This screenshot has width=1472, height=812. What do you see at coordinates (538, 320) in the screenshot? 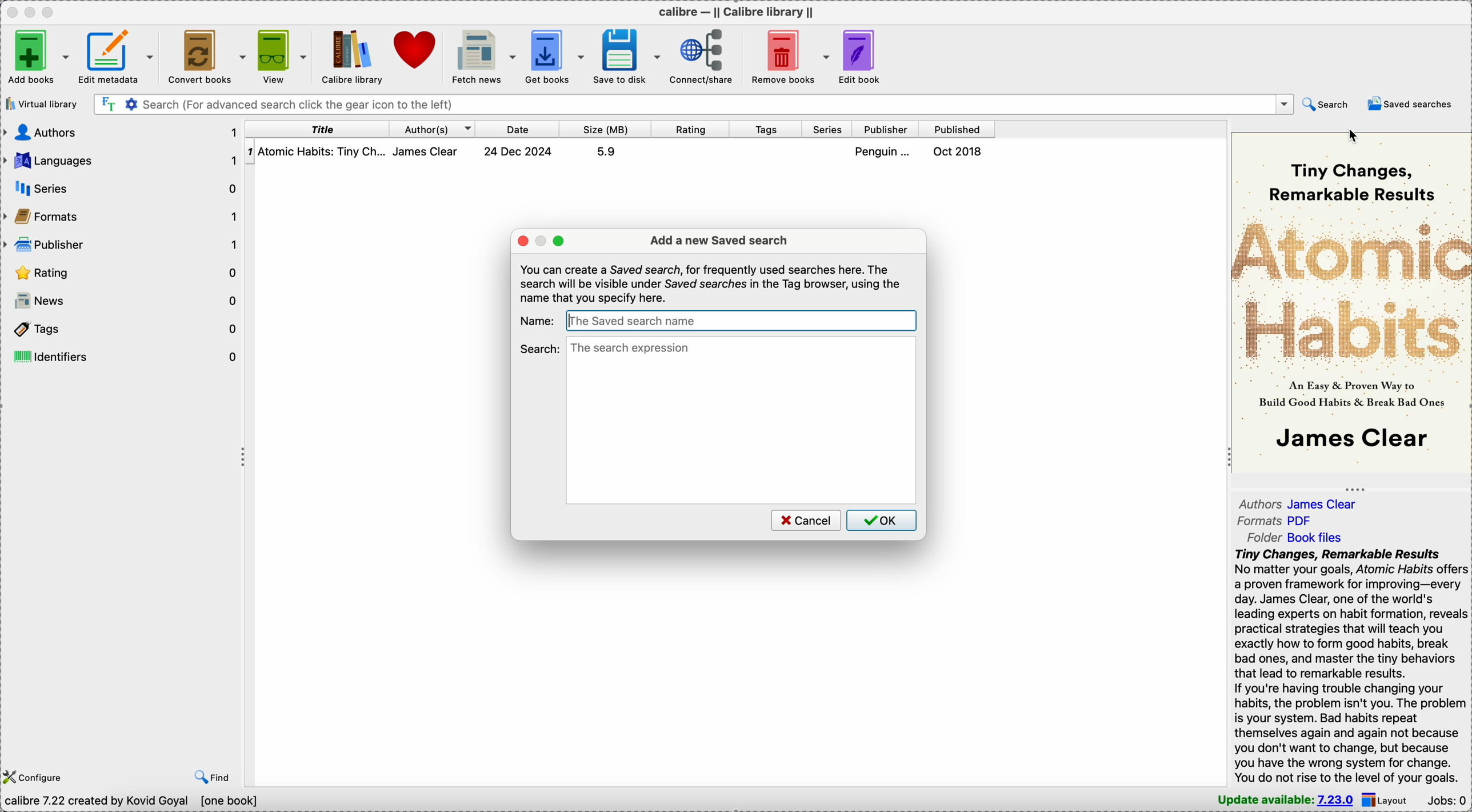
I see `name:` at bounding box center [538, 320].